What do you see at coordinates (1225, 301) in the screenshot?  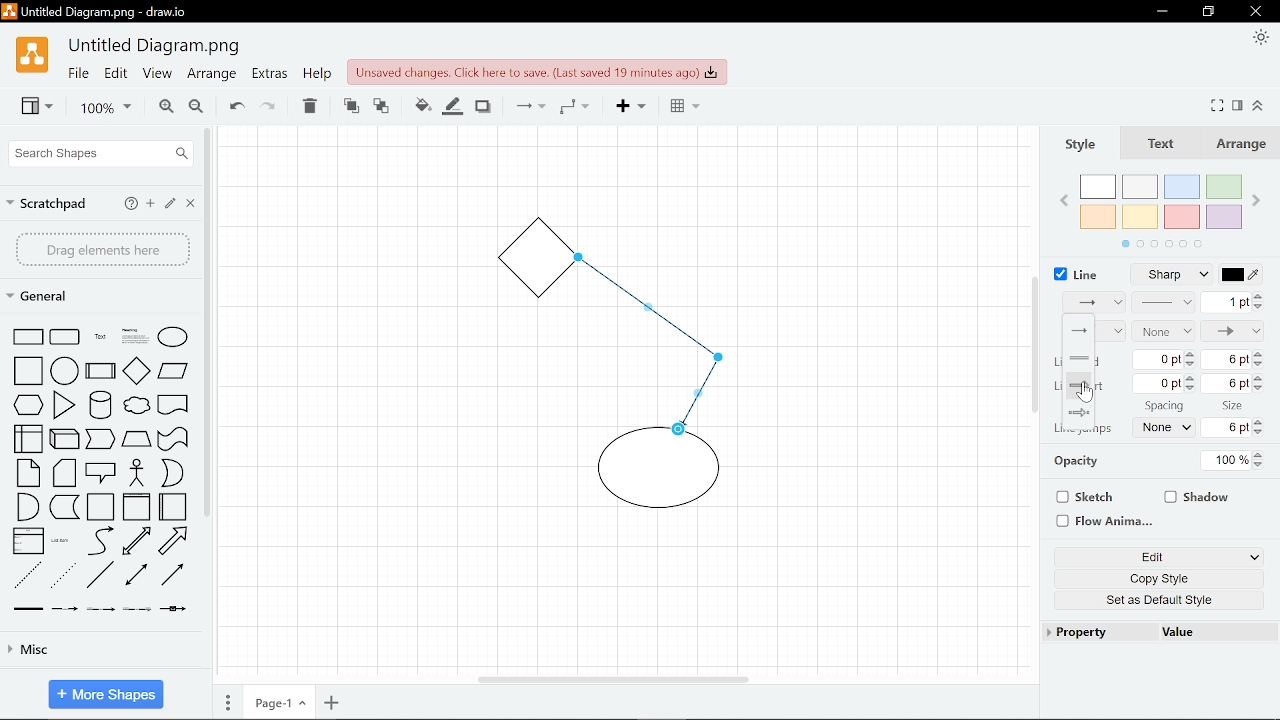 I see `Current thickness` at bounding box center [1225, 301].